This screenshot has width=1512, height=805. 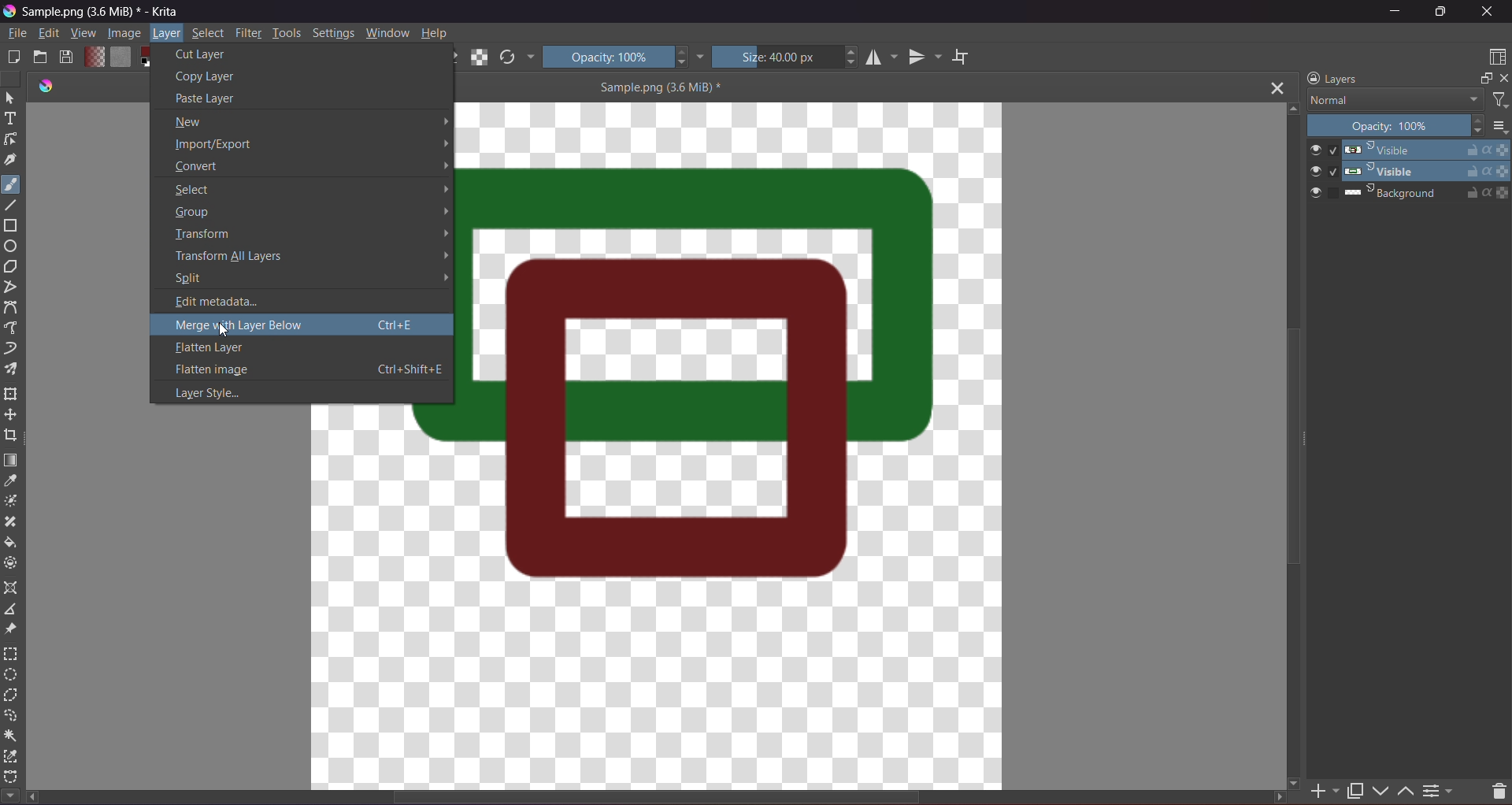 What do you see at coordinates (12, 588) in the screenshot?
I see `Assistant` at bounding box center [12, 588].